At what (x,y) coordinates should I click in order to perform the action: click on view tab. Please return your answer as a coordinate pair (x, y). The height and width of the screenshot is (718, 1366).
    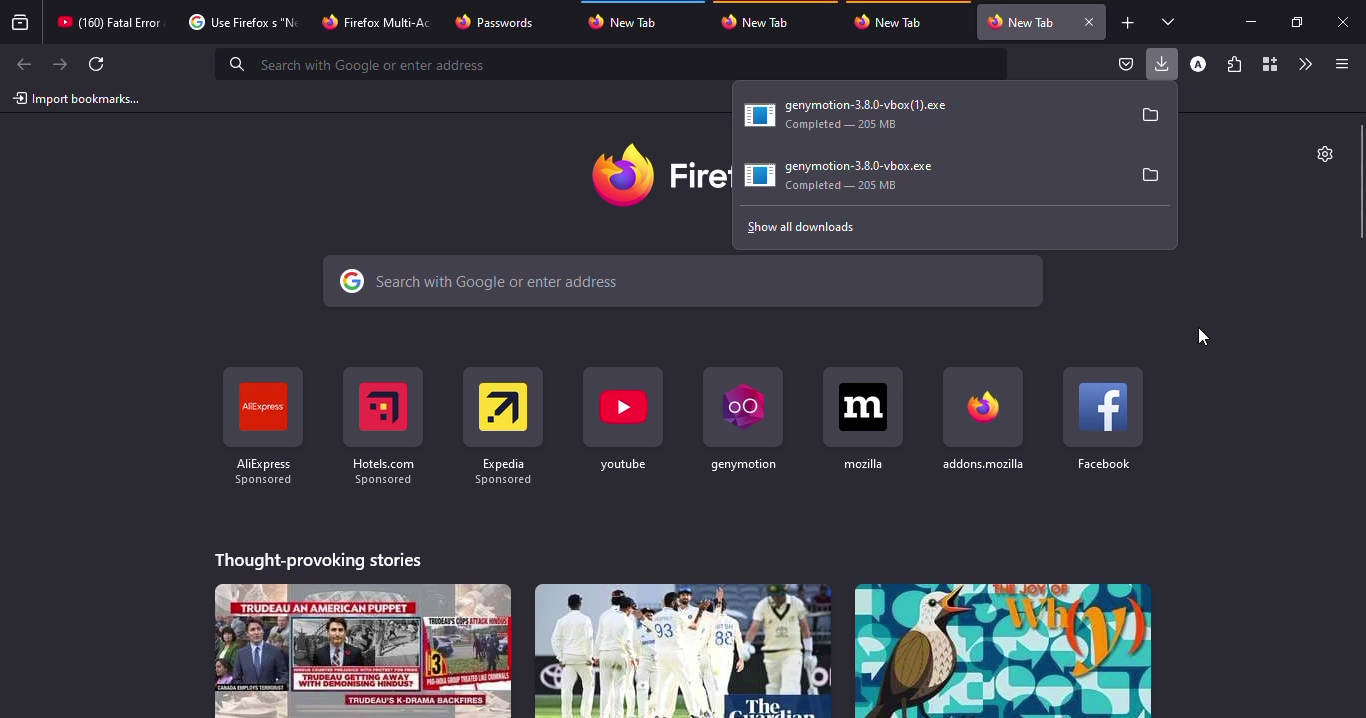
    Looking at the image, I should click on (1169, 21).